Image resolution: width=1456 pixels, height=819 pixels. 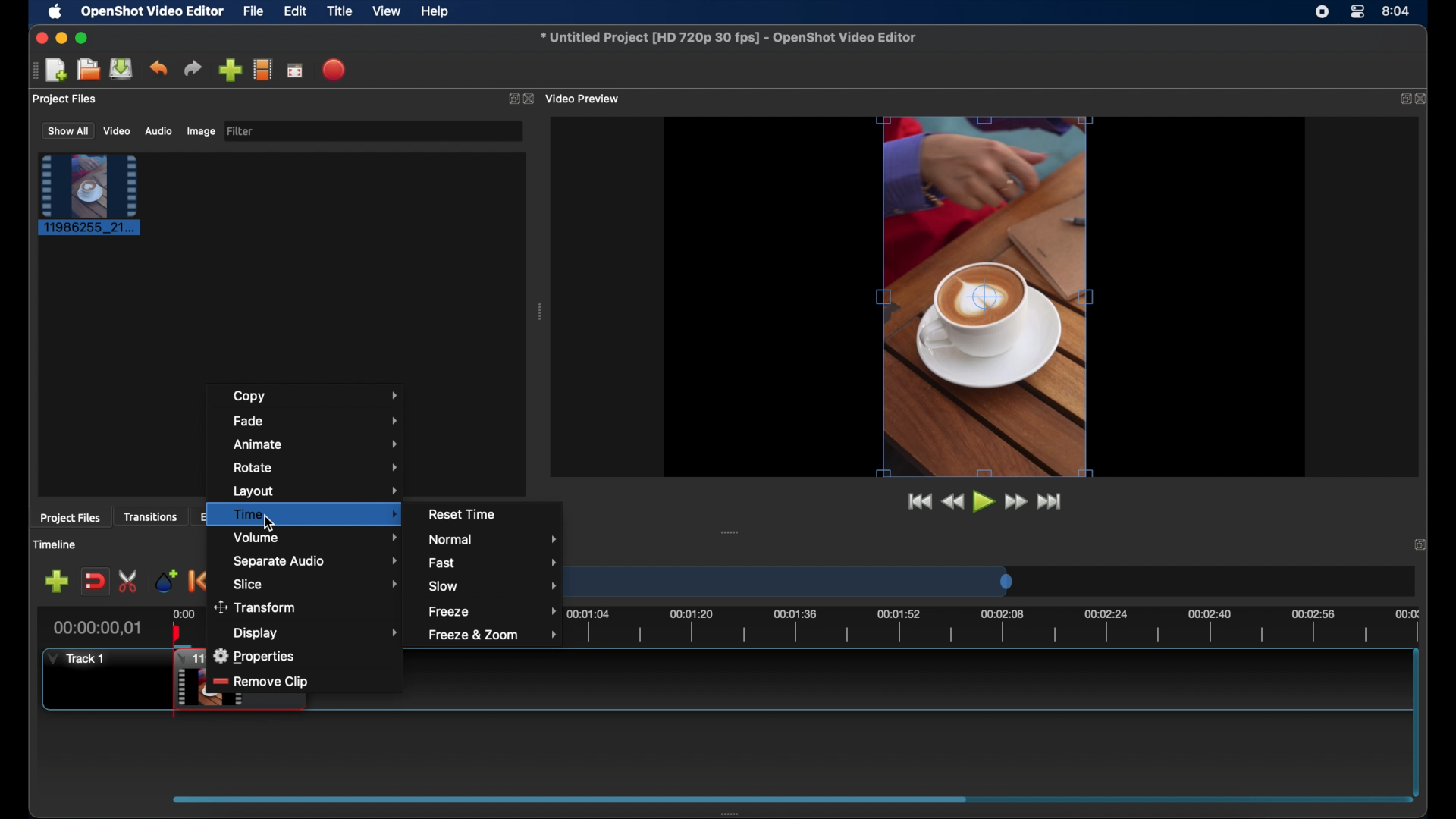 What do you see at coordinates (1397, 10) in the screenshot?
I see `time` at bounding box center [1397, 10].